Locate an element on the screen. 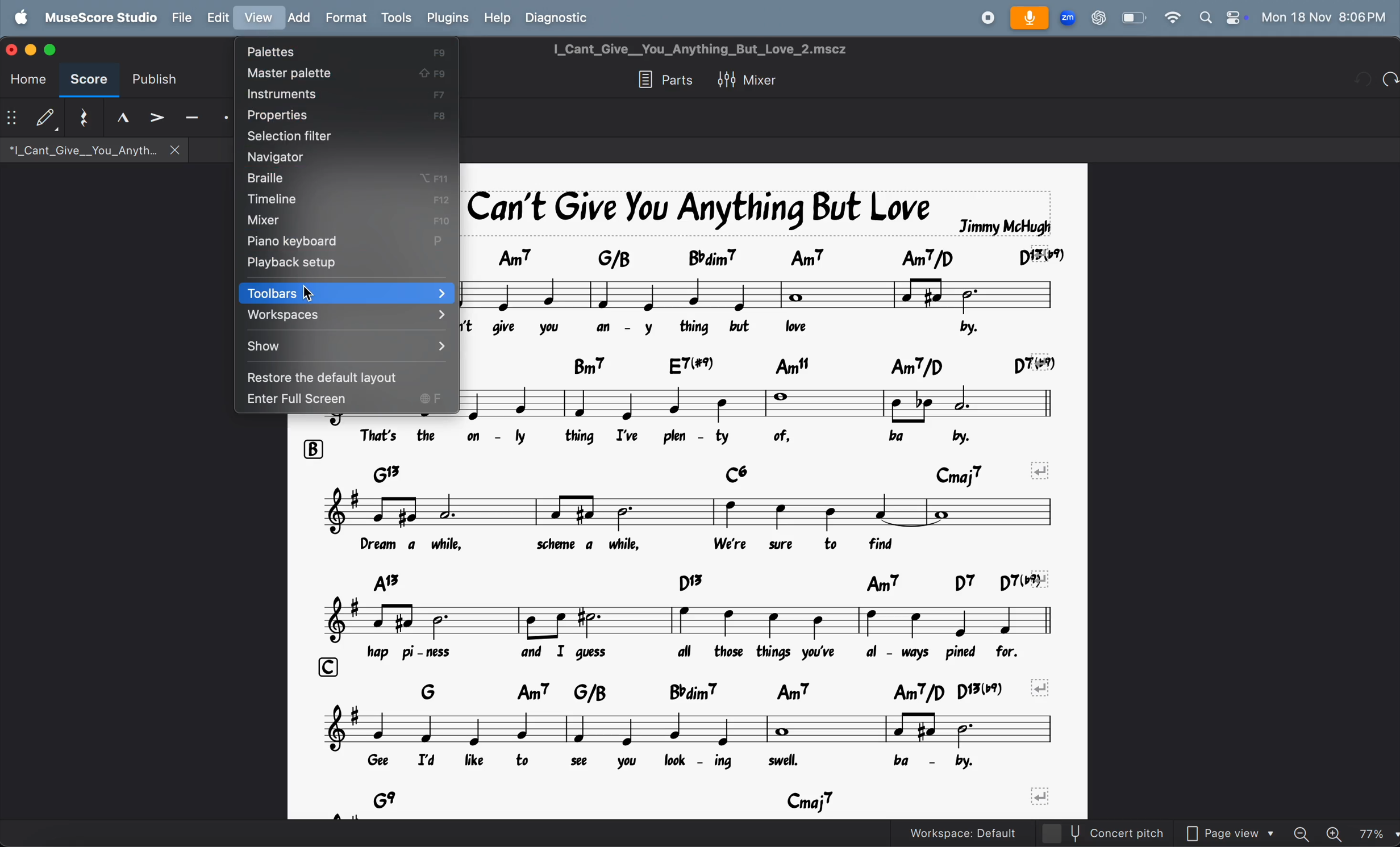 The image size is (1400, 847). enter full screen is located at coordinates (345, 402).